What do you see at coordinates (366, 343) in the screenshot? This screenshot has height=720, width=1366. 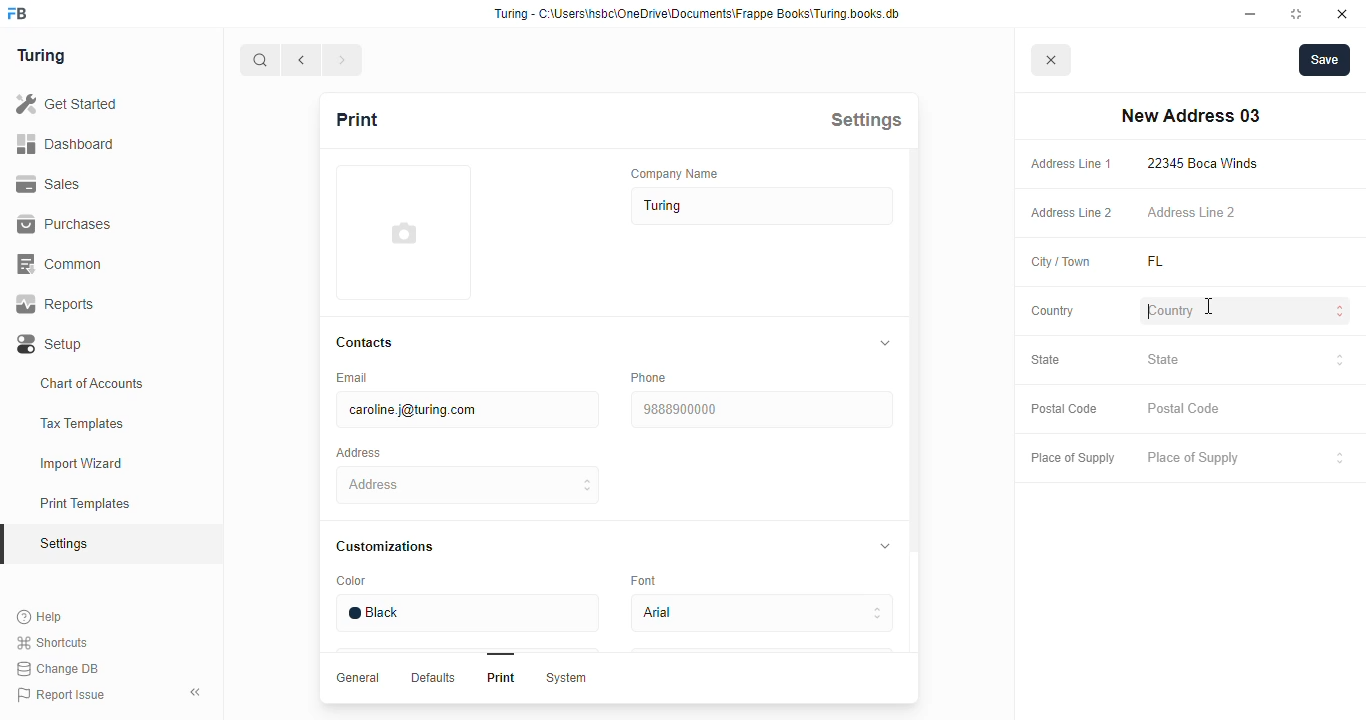 I see `contacts` at bounding box center [366, 343].